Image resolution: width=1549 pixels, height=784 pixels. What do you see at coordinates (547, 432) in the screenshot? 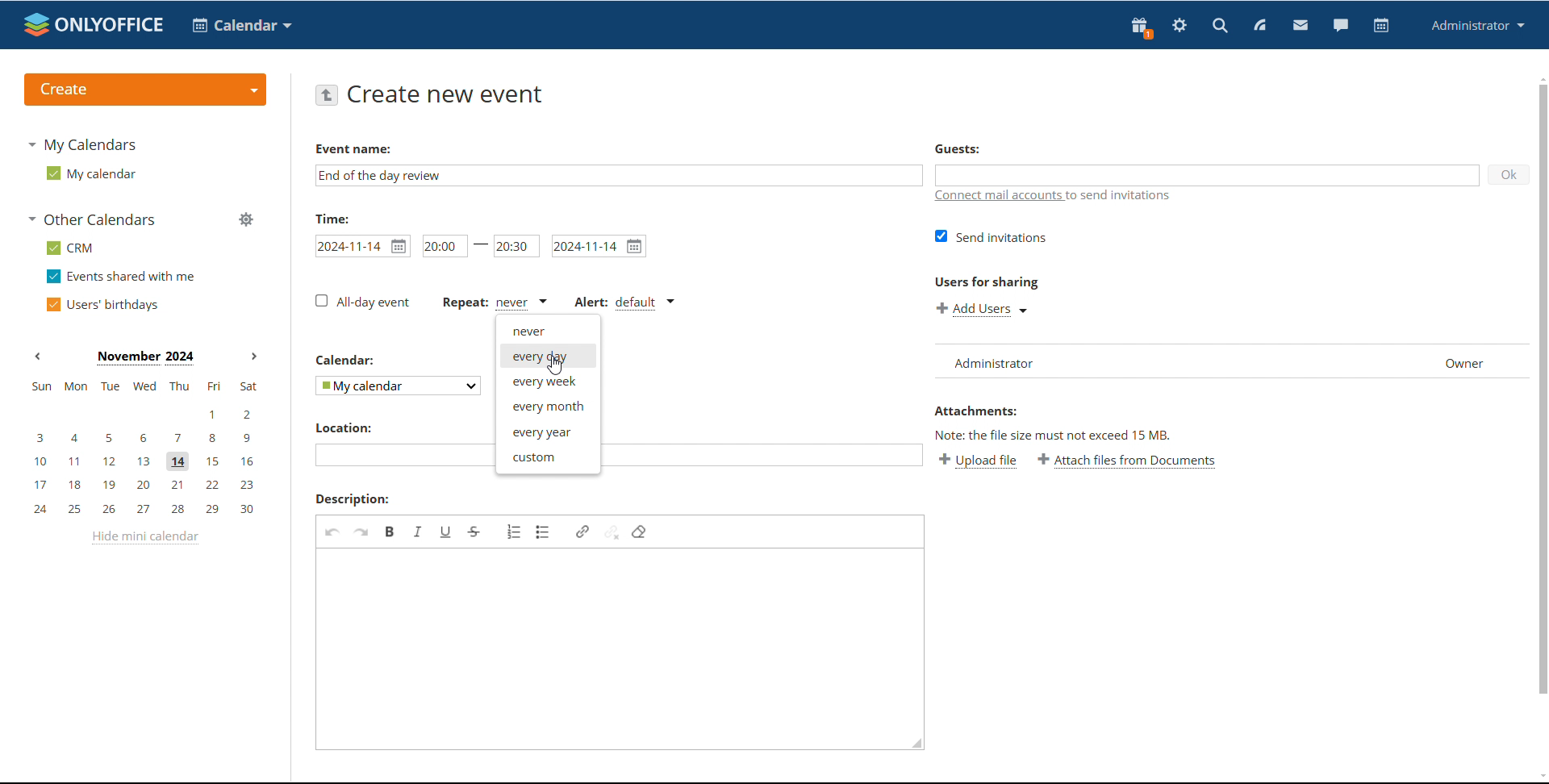
I see `every year` at bounding box center [547, 432].